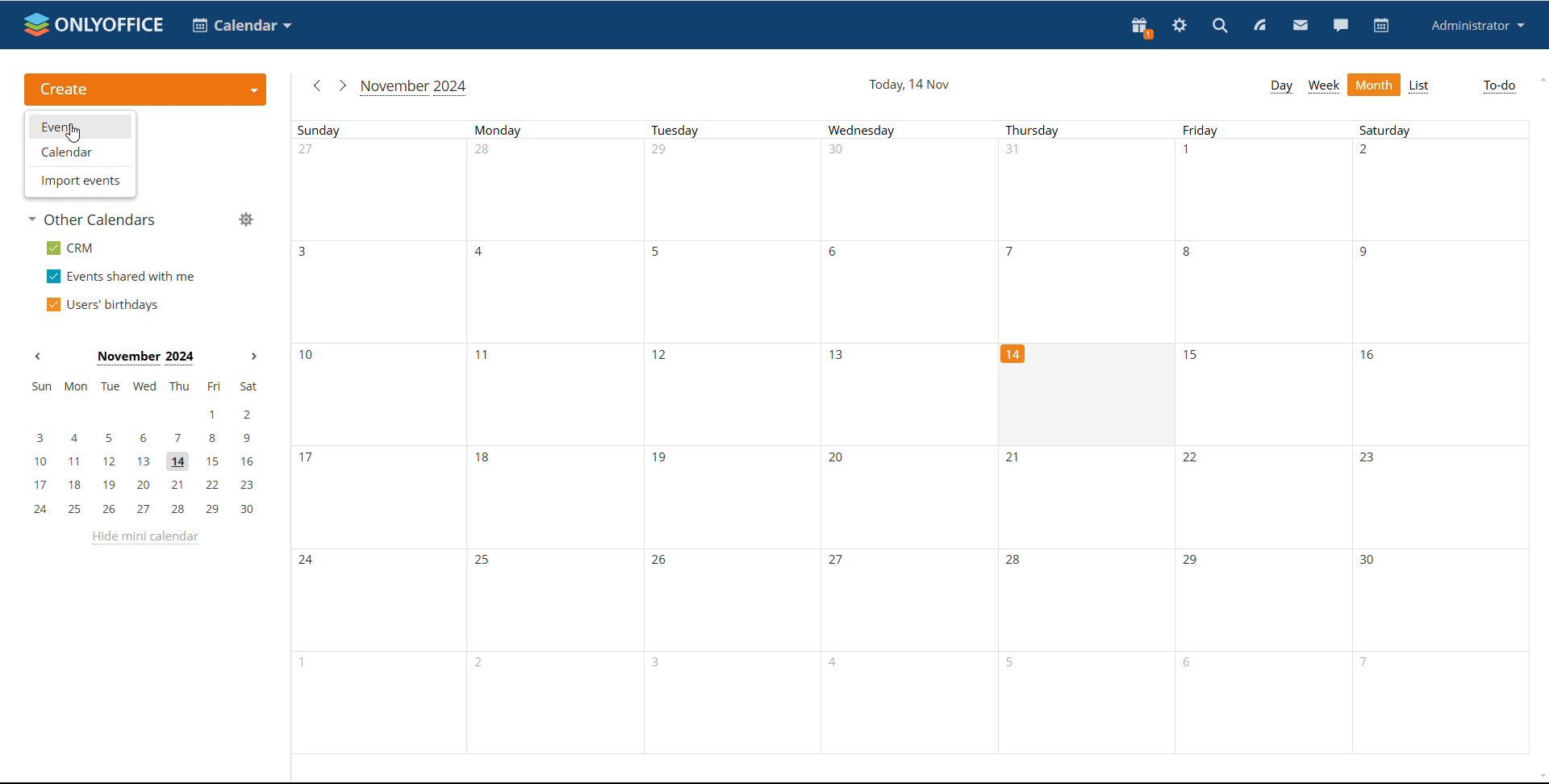 The height and width of the screenshot is (784, 1549). What do you see at coordinates (1301, 27) in the screenshot?
I see `mail` at bounding box center [1301, 27].